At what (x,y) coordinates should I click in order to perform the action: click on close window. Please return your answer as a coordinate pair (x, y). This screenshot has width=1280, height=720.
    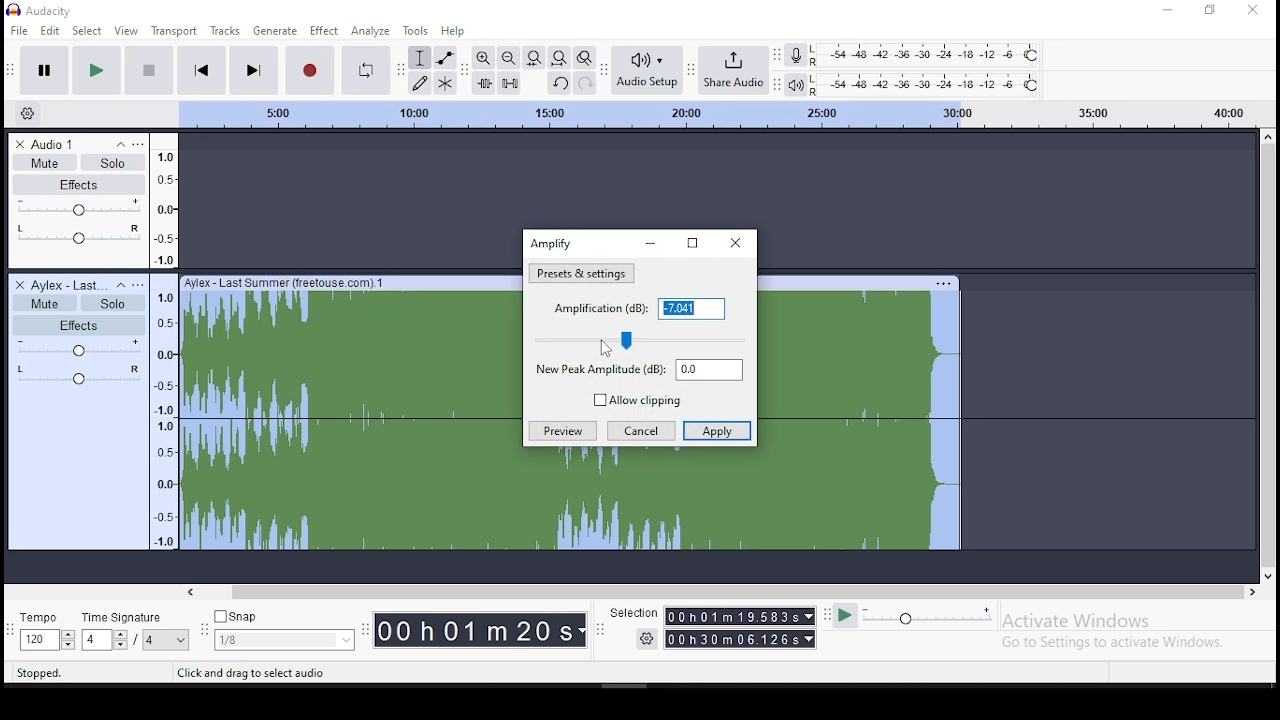
    Looking at the image, I should click on (734, 244).